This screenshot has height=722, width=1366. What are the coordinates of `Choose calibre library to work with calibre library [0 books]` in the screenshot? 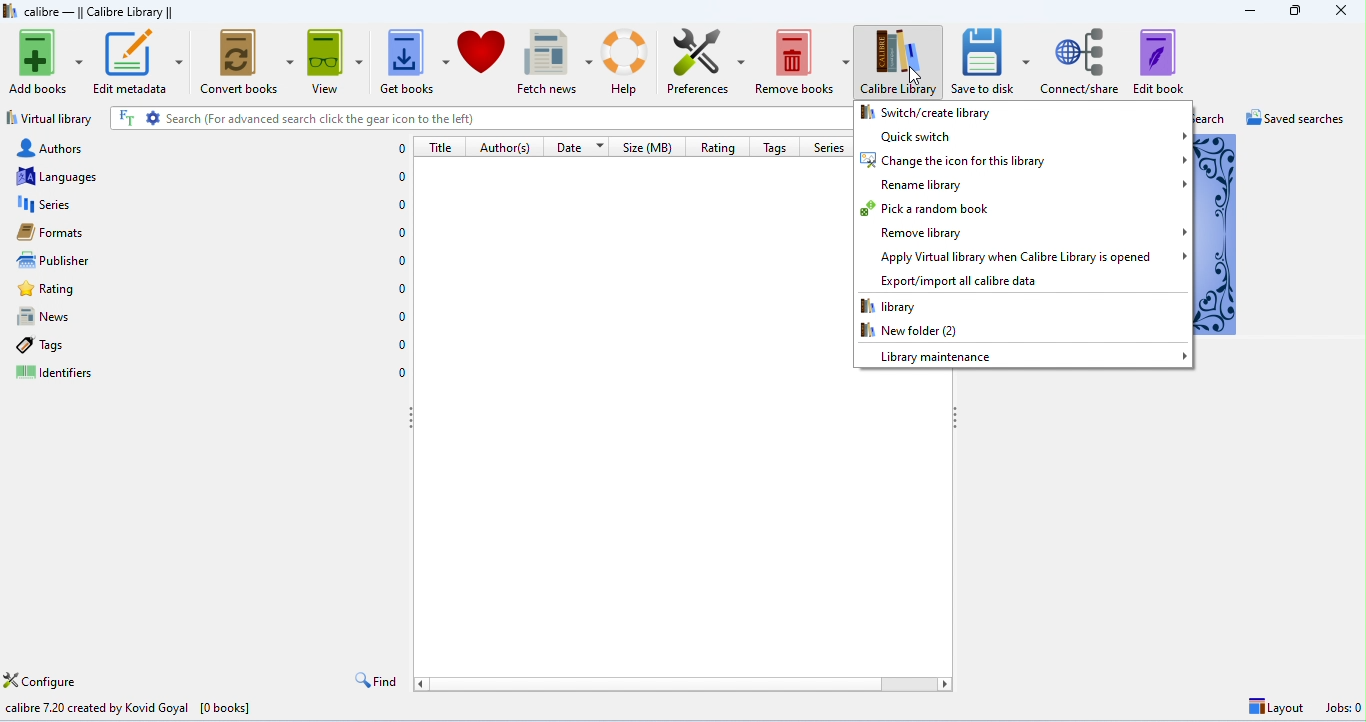 It's located at (172, 707).